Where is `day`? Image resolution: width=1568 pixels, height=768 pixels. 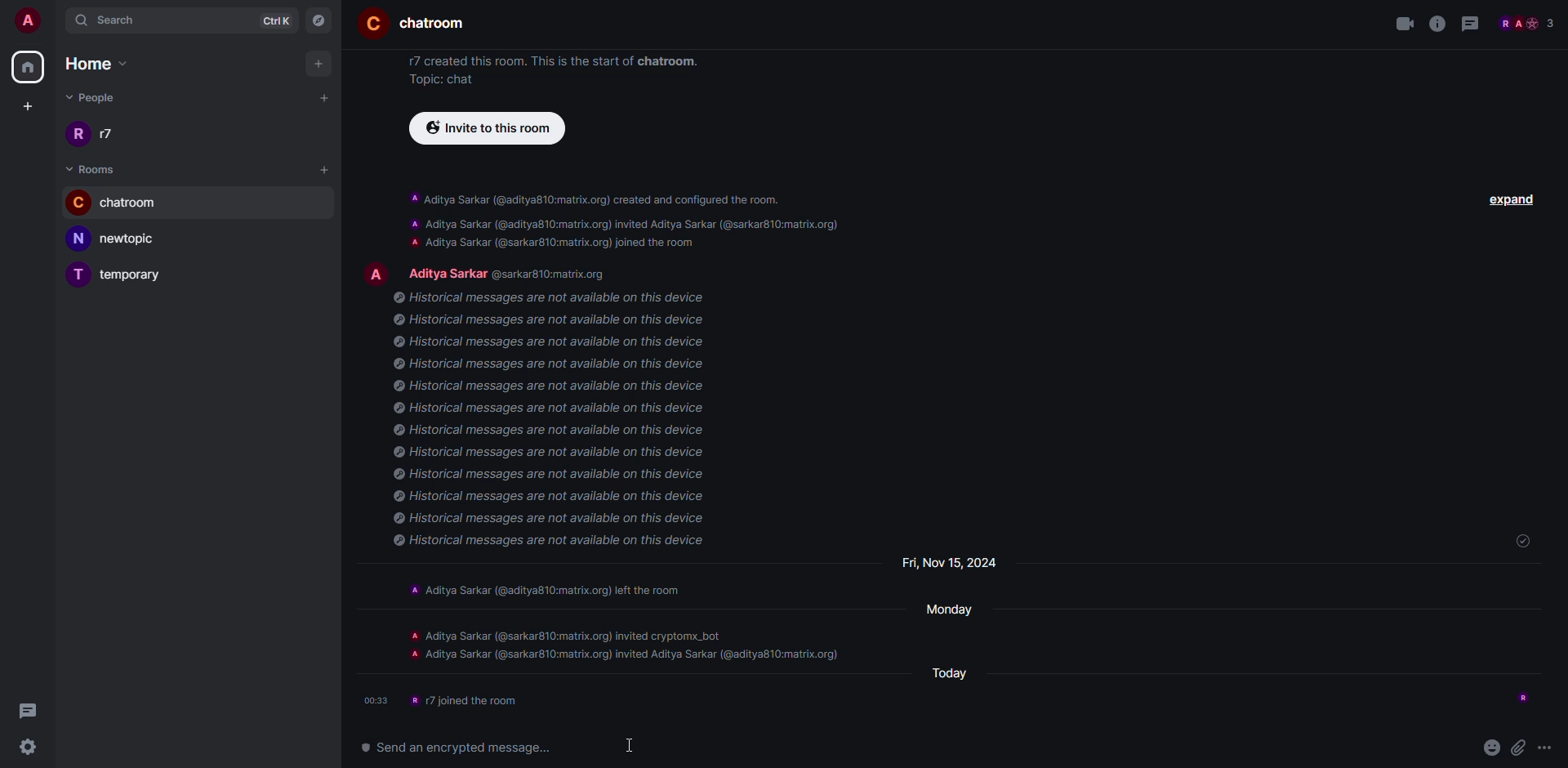
day is located at coordinates (948, 608).